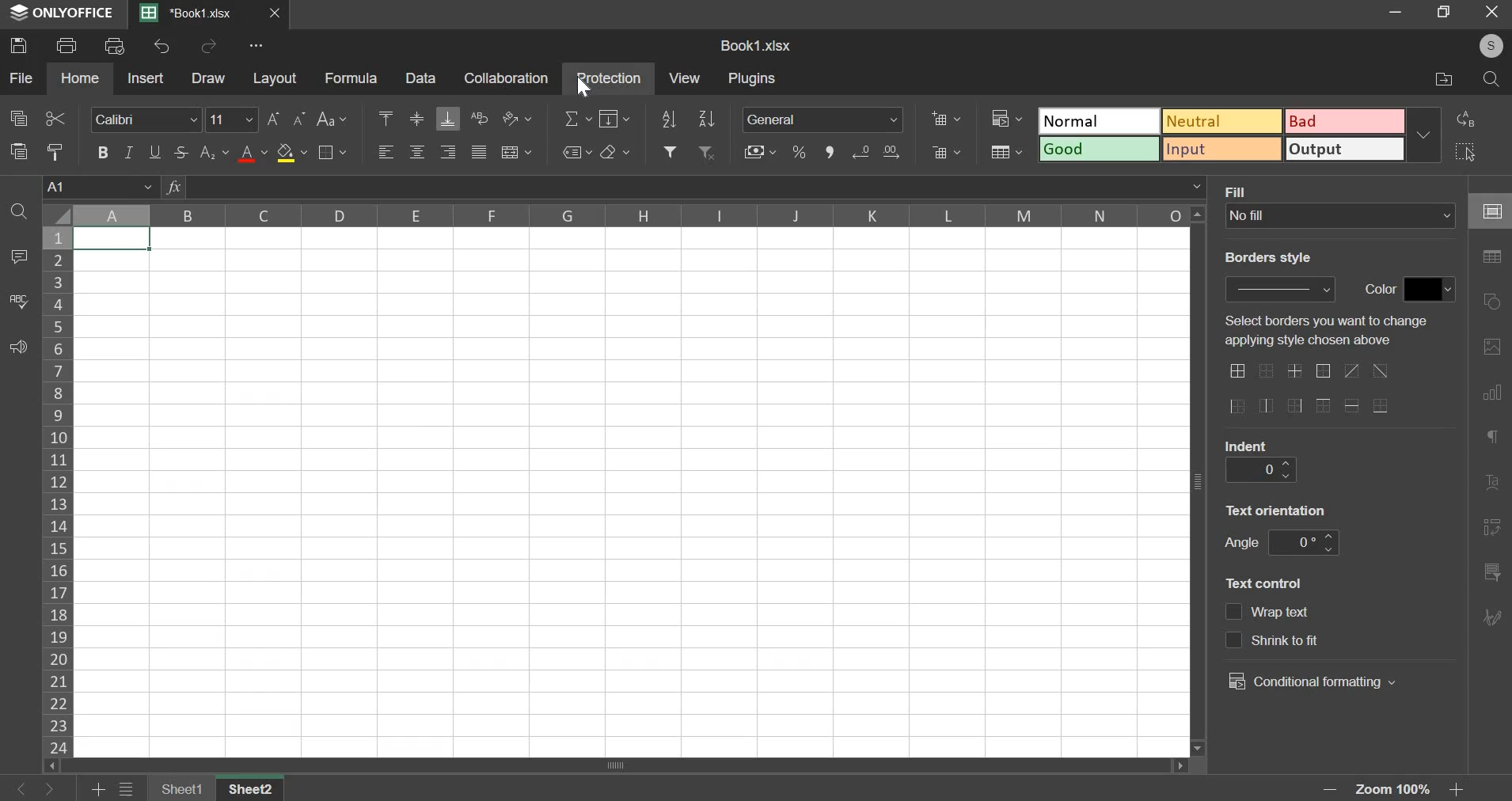 The width and height of the screenshot is (1512, 801). Describe the element at coordinates (1494, 390) in the screenshot. I see `right side bar` at that location.